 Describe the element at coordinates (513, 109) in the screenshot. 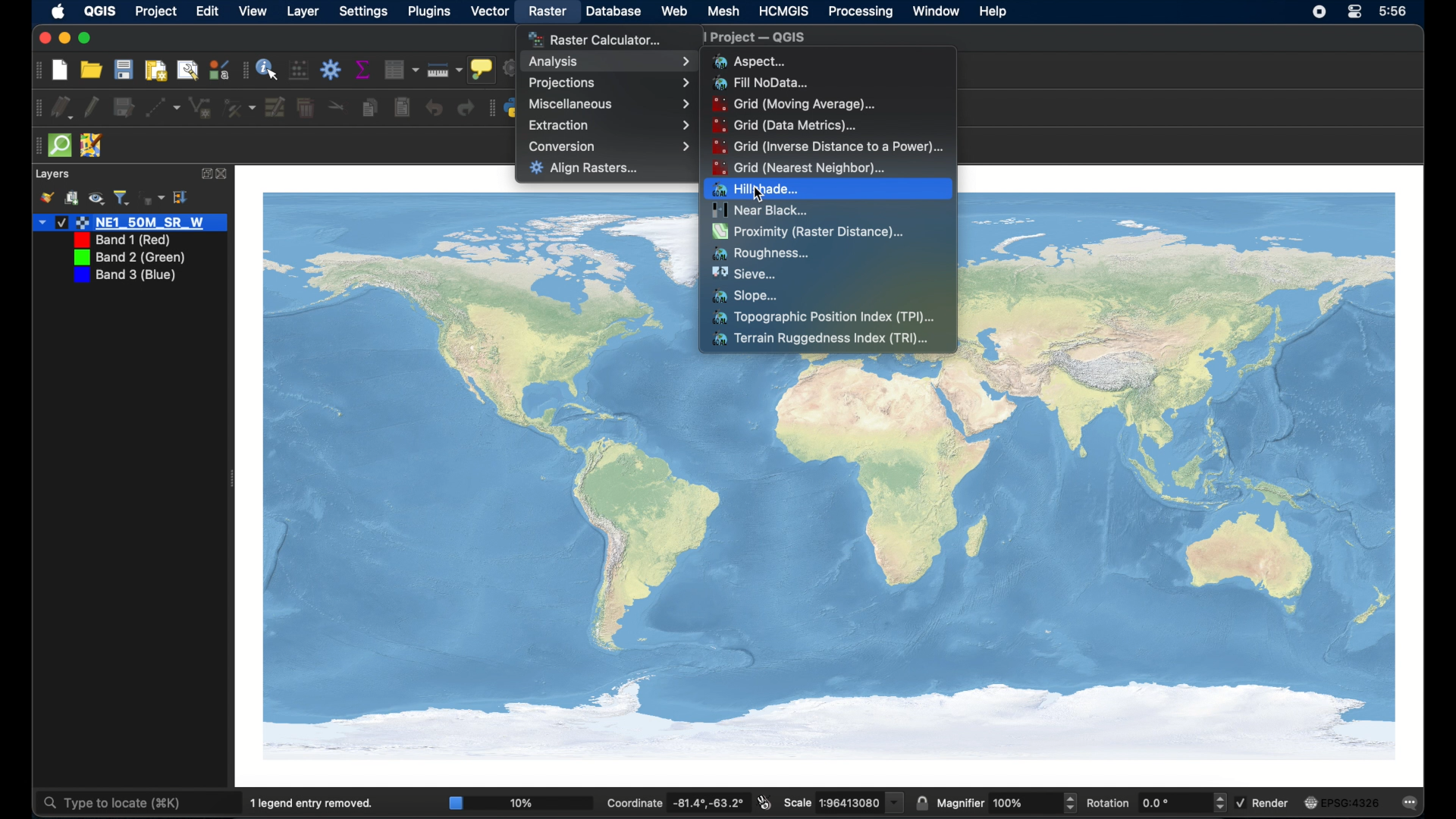

I see `python console` at that location.